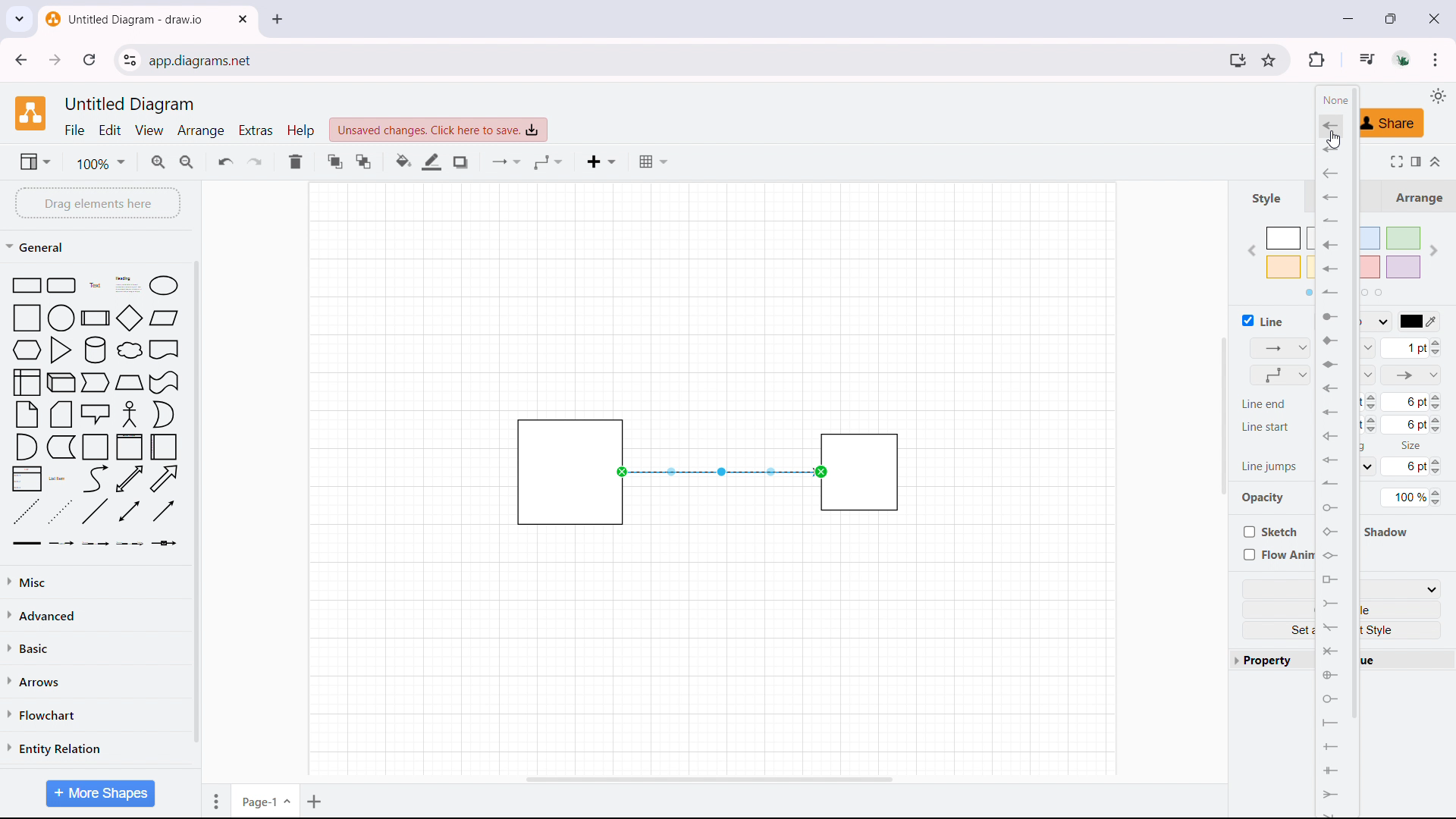  I want to click on tab title, so click(126, 19).